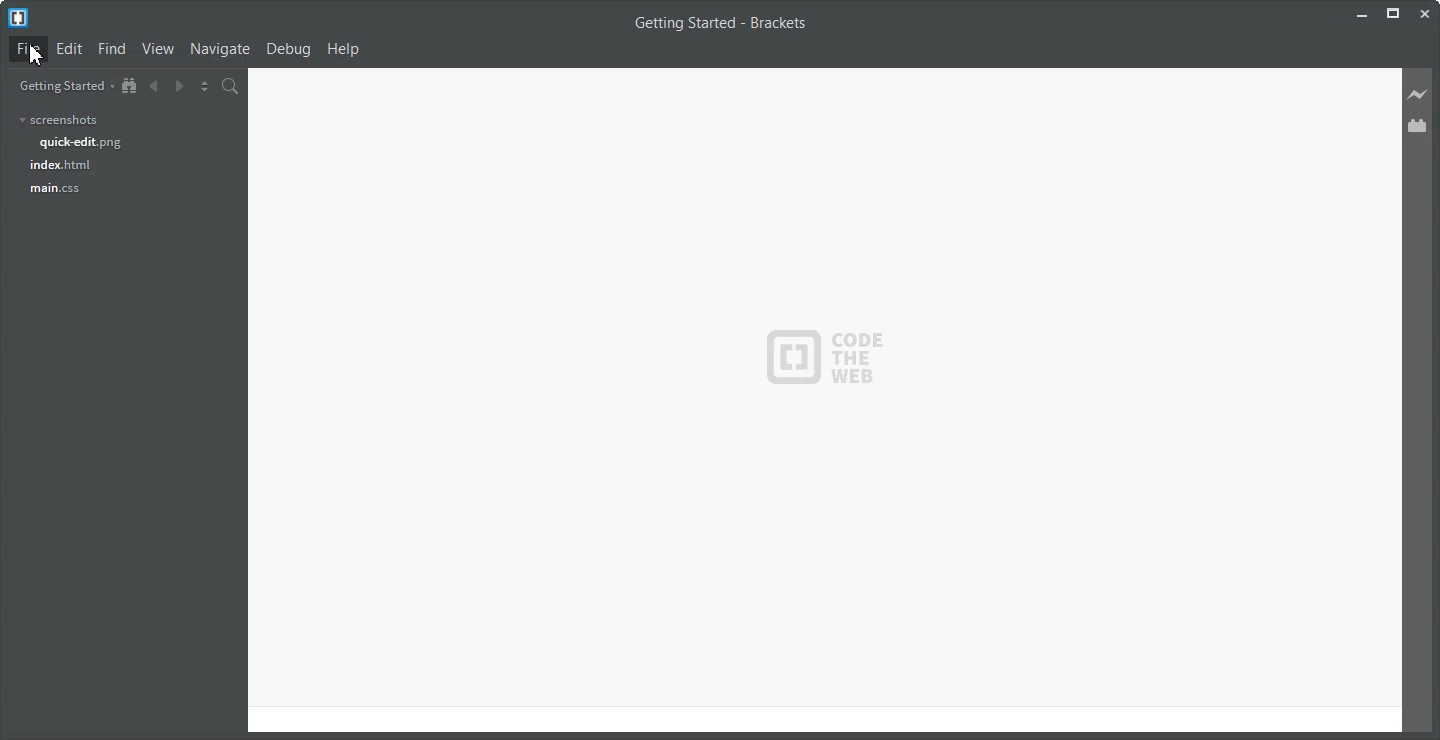  What do you see at coordinates (1418, 93) in the screenshot?
I see `Live Preview` at bounding box center [1418, 93].